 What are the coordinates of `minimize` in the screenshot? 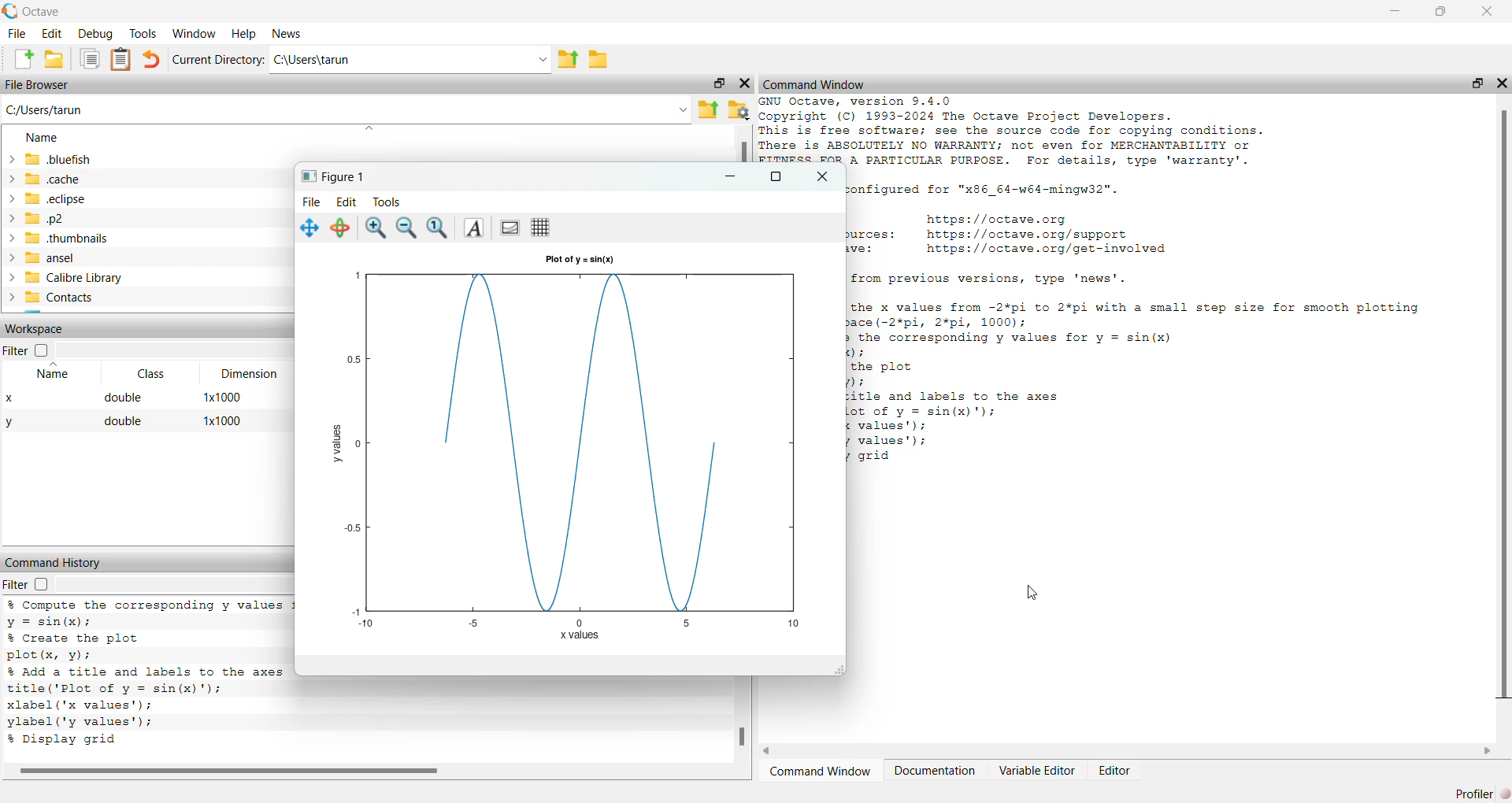 It's located at (1394, 13).